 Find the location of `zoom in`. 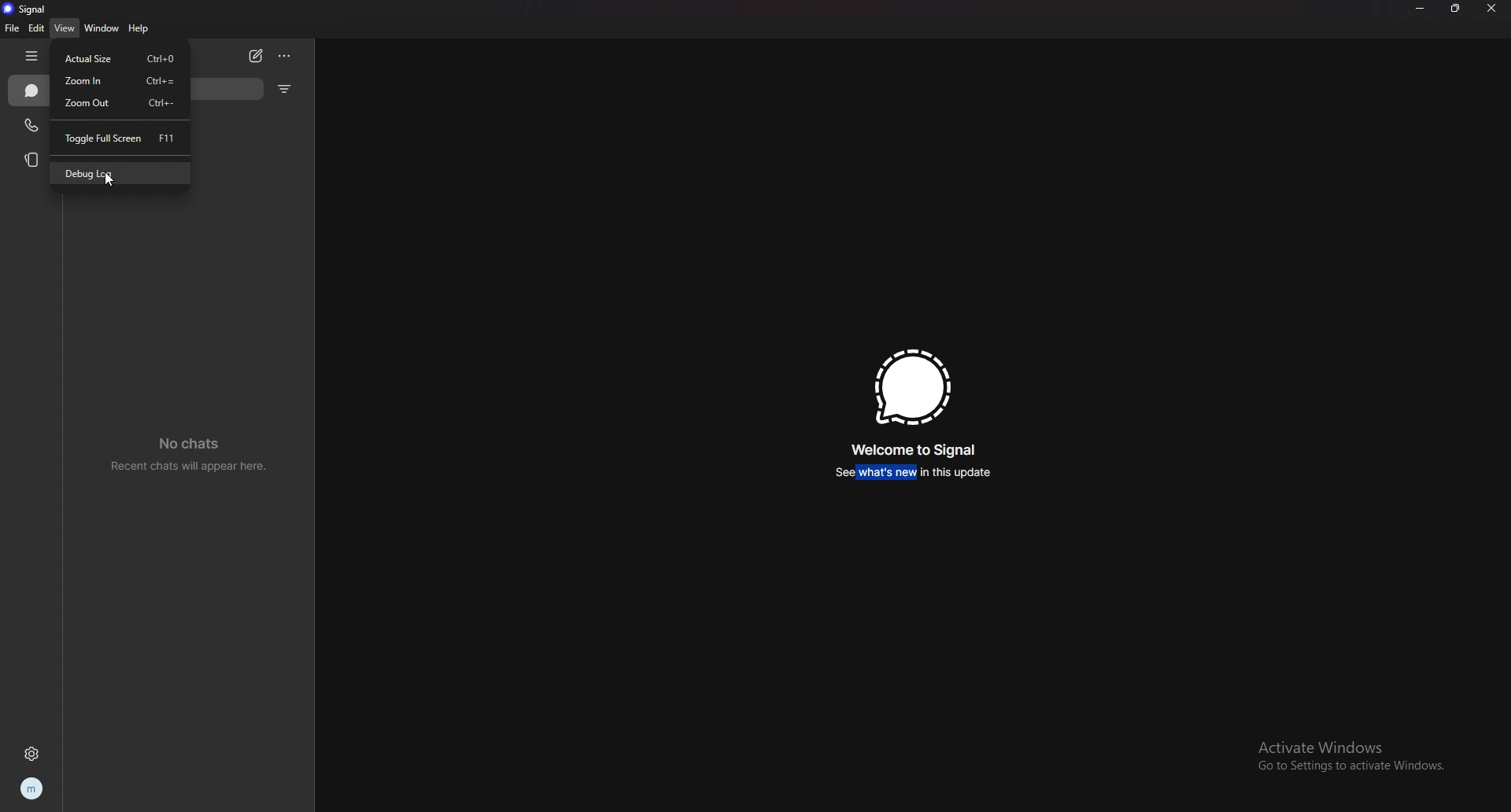

zoom in is located at coordinates (125, 80).